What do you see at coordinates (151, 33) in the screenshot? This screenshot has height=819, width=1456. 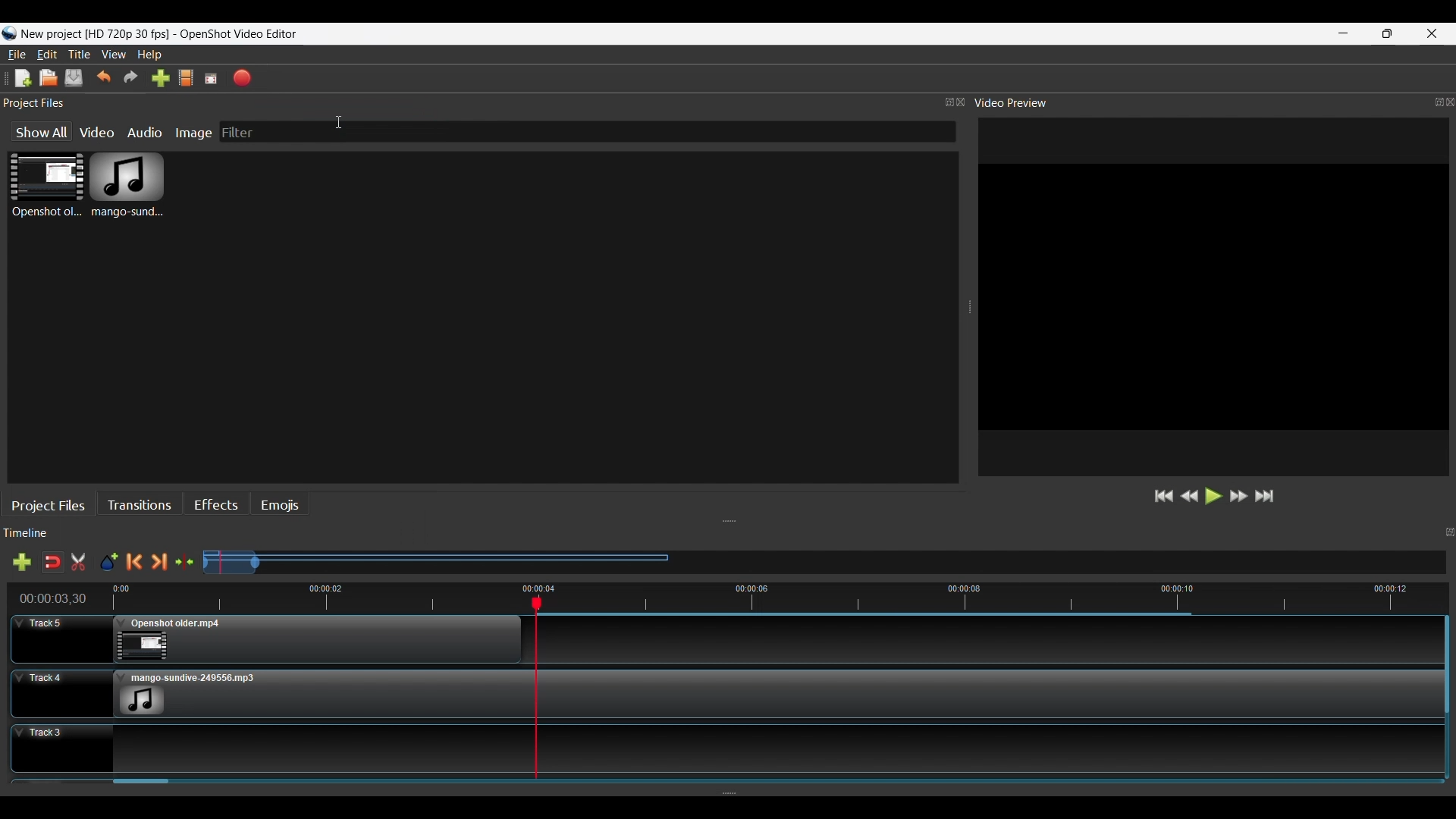 I see `Logo` at bounding box center [151, 33].